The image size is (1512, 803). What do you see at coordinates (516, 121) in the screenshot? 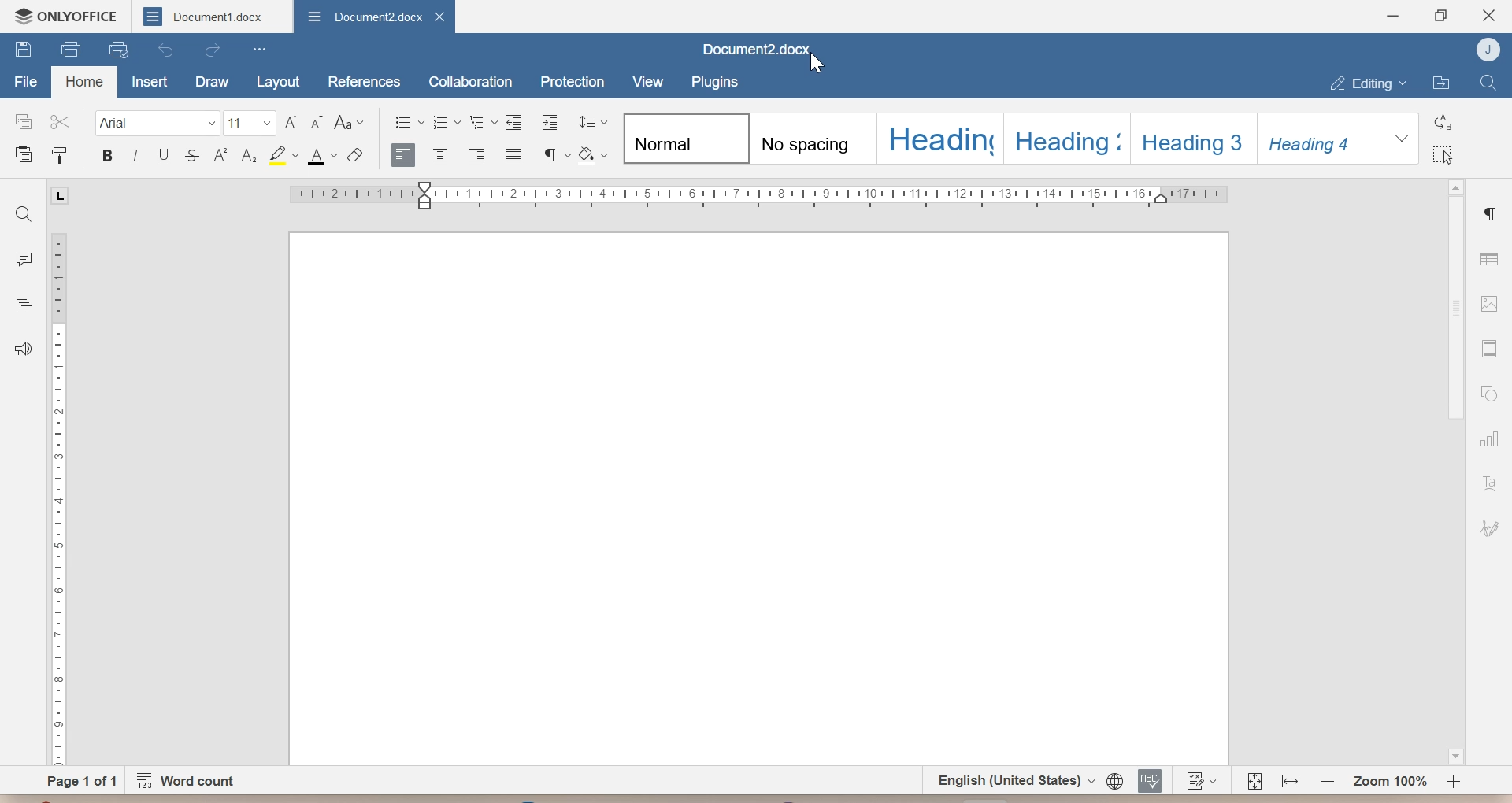
I see `Decrease indent` at bounding box center [516, 121].